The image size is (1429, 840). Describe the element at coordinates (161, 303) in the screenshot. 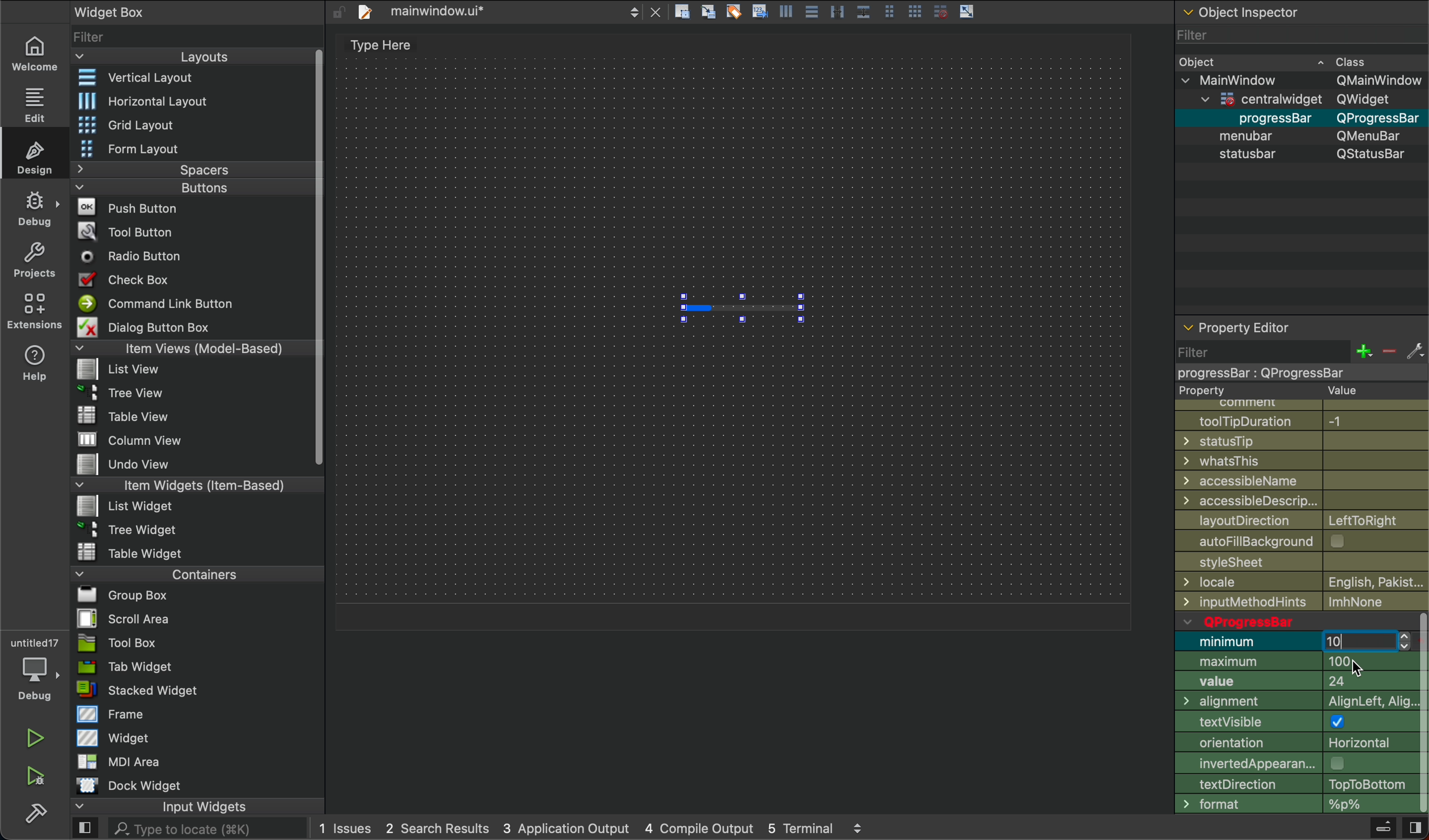

I see `Command button` at that location.